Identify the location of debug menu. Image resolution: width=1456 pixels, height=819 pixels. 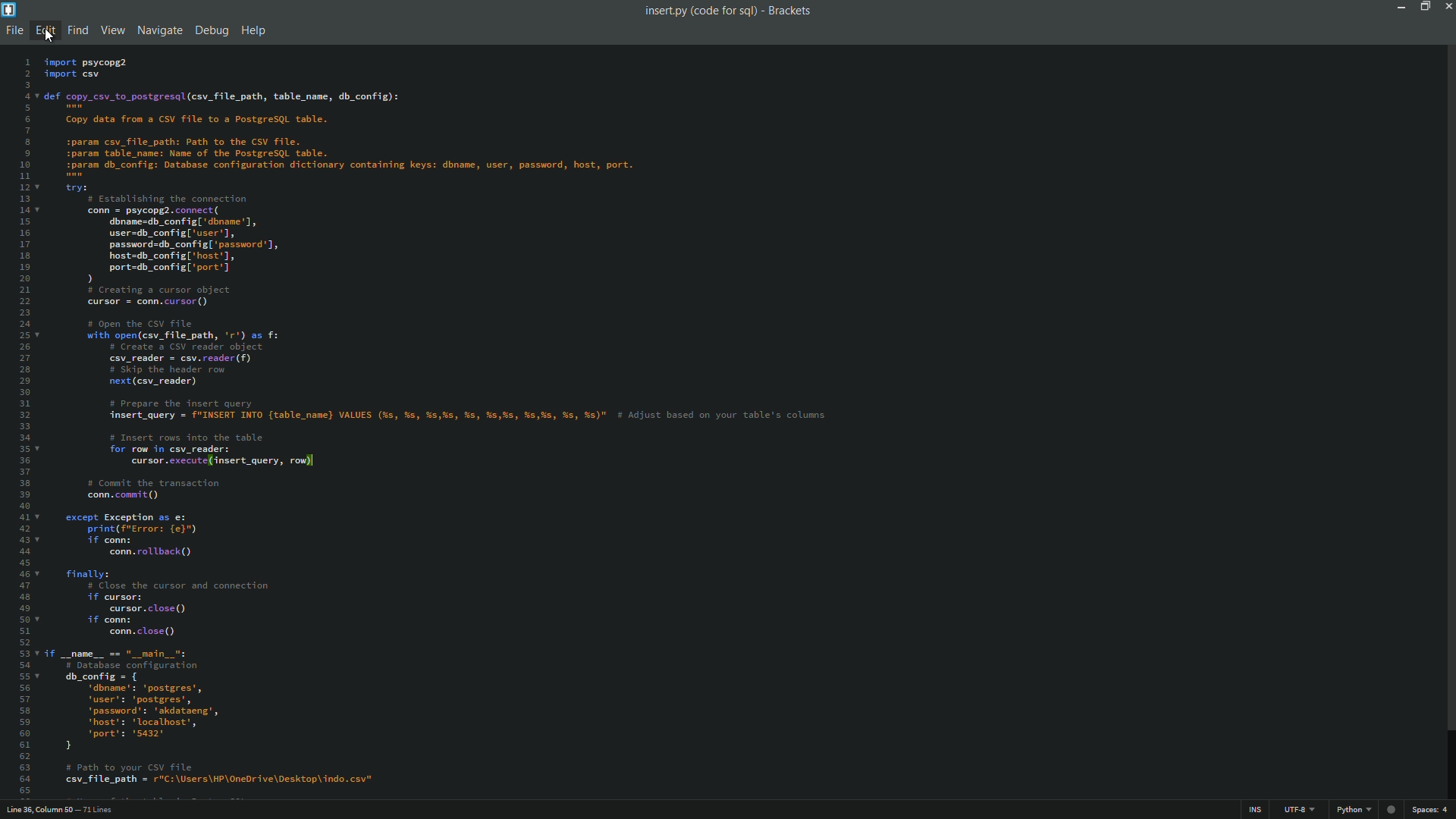
(211, 30).